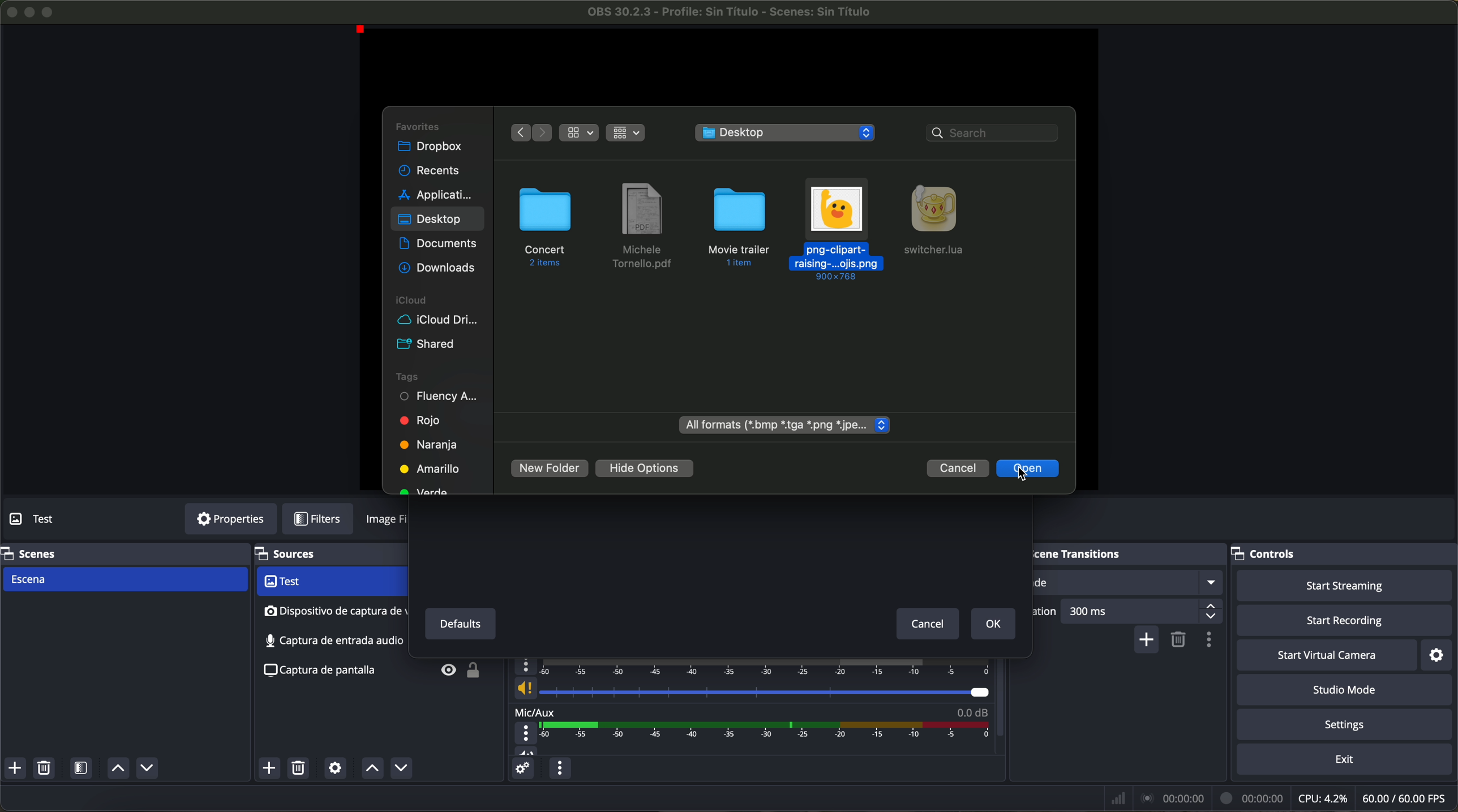  I want to click on green, so click(428, 488).